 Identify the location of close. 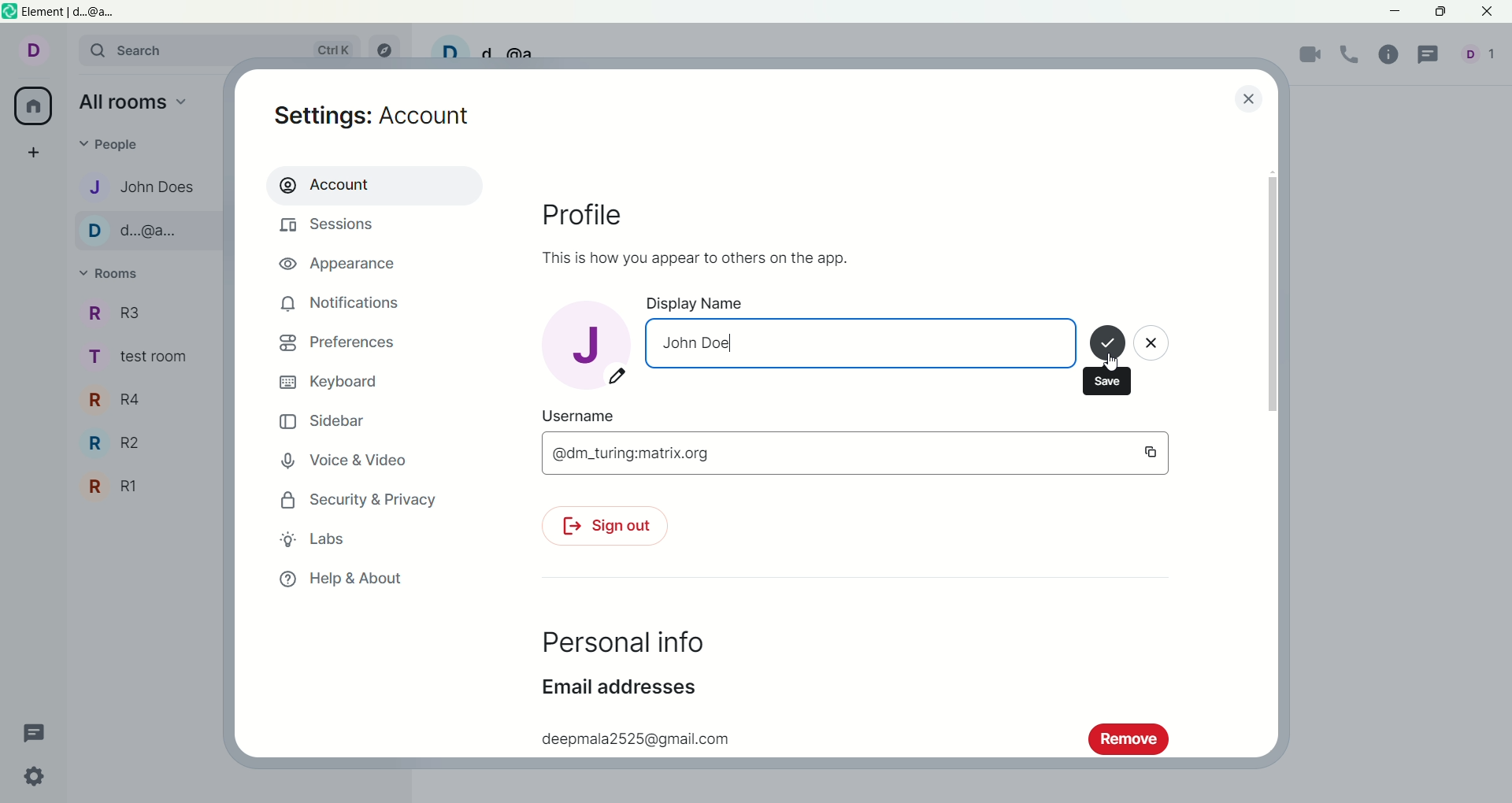
(1489, 13).